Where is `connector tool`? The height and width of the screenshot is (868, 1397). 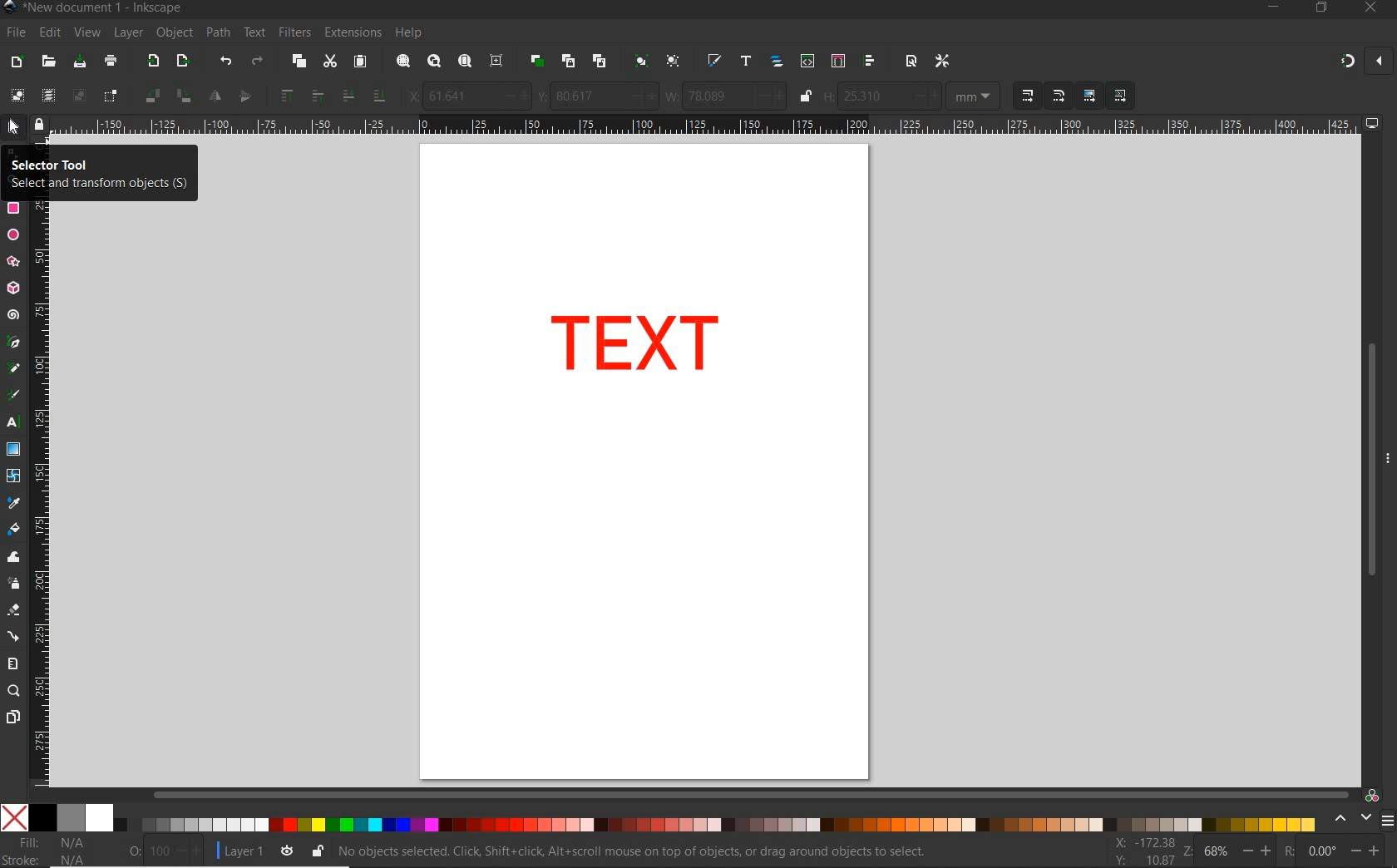
connector tool is located at coordinates (13, 636).